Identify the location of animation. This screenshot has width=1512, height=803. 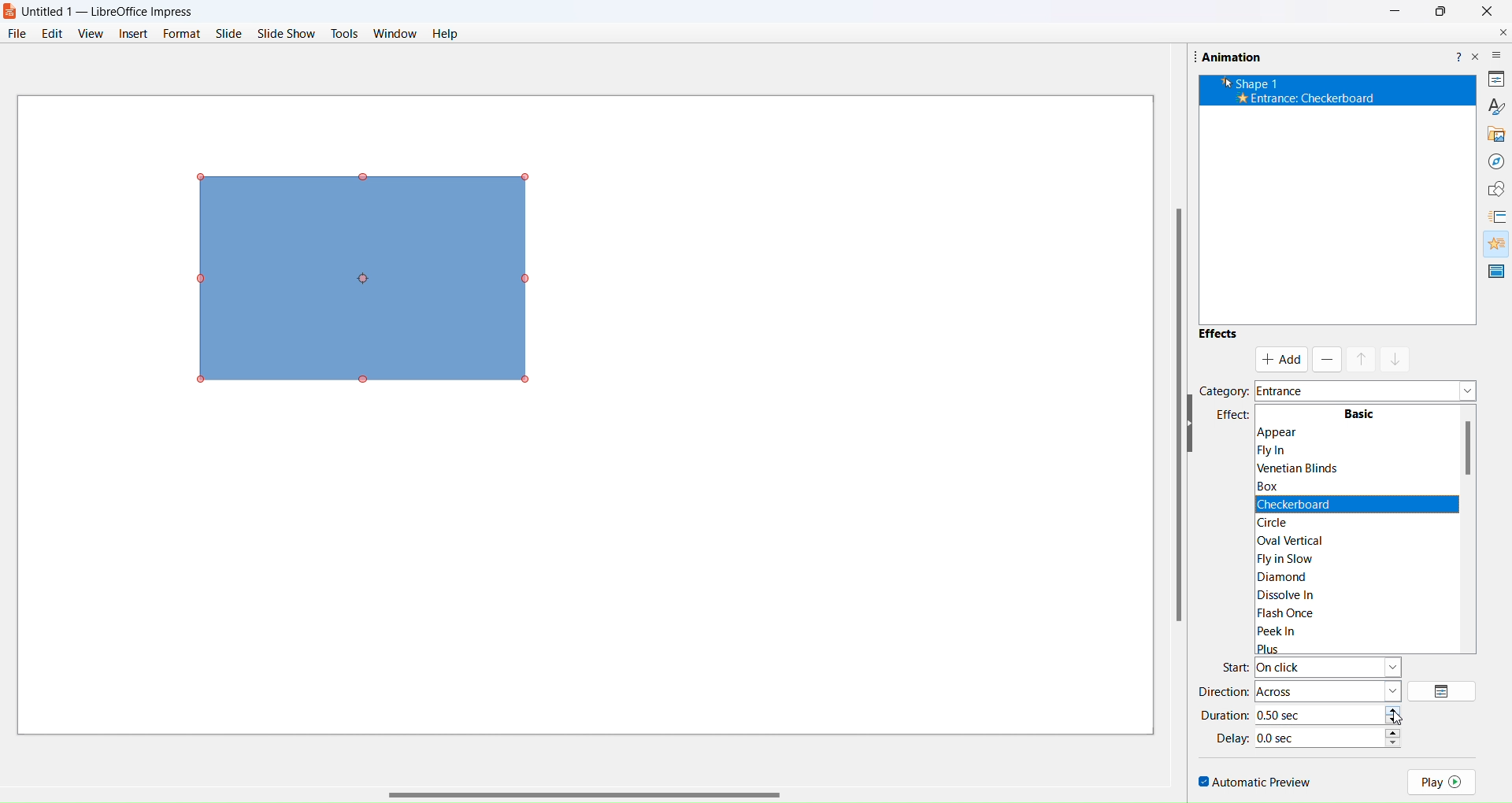
(1493, 243).